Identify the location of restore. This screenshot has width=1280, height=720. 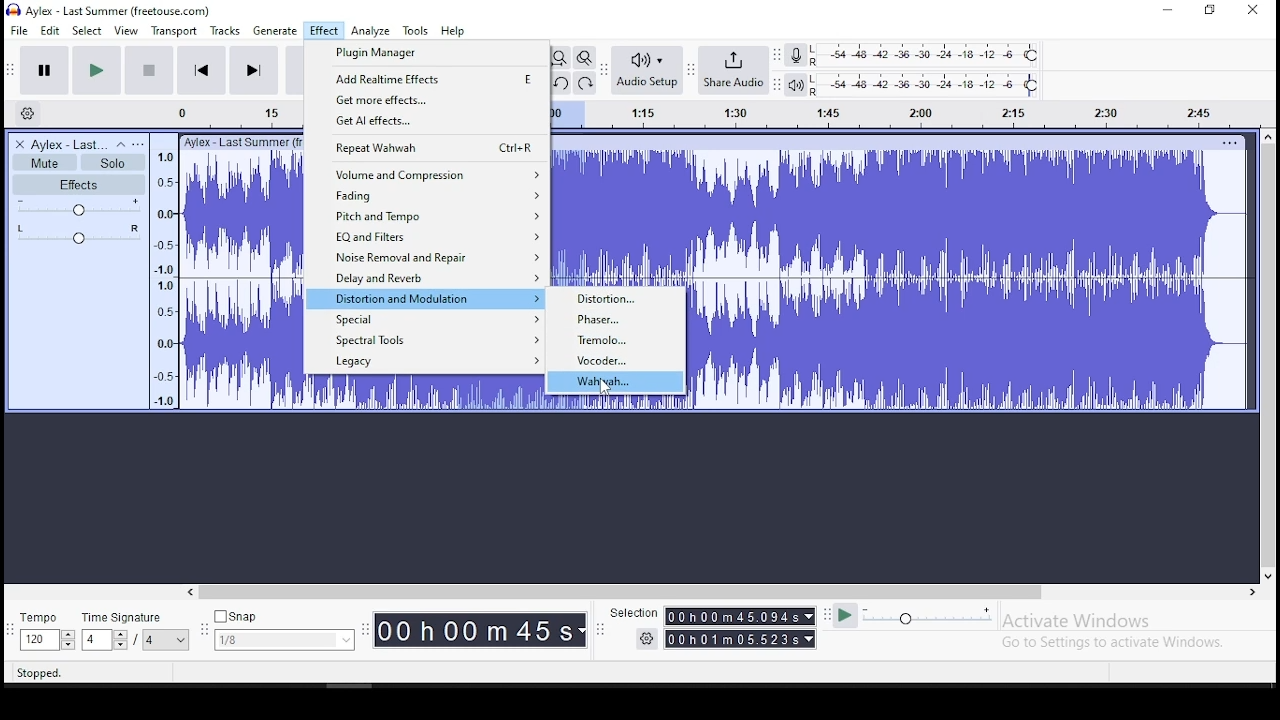
(1210, 11).